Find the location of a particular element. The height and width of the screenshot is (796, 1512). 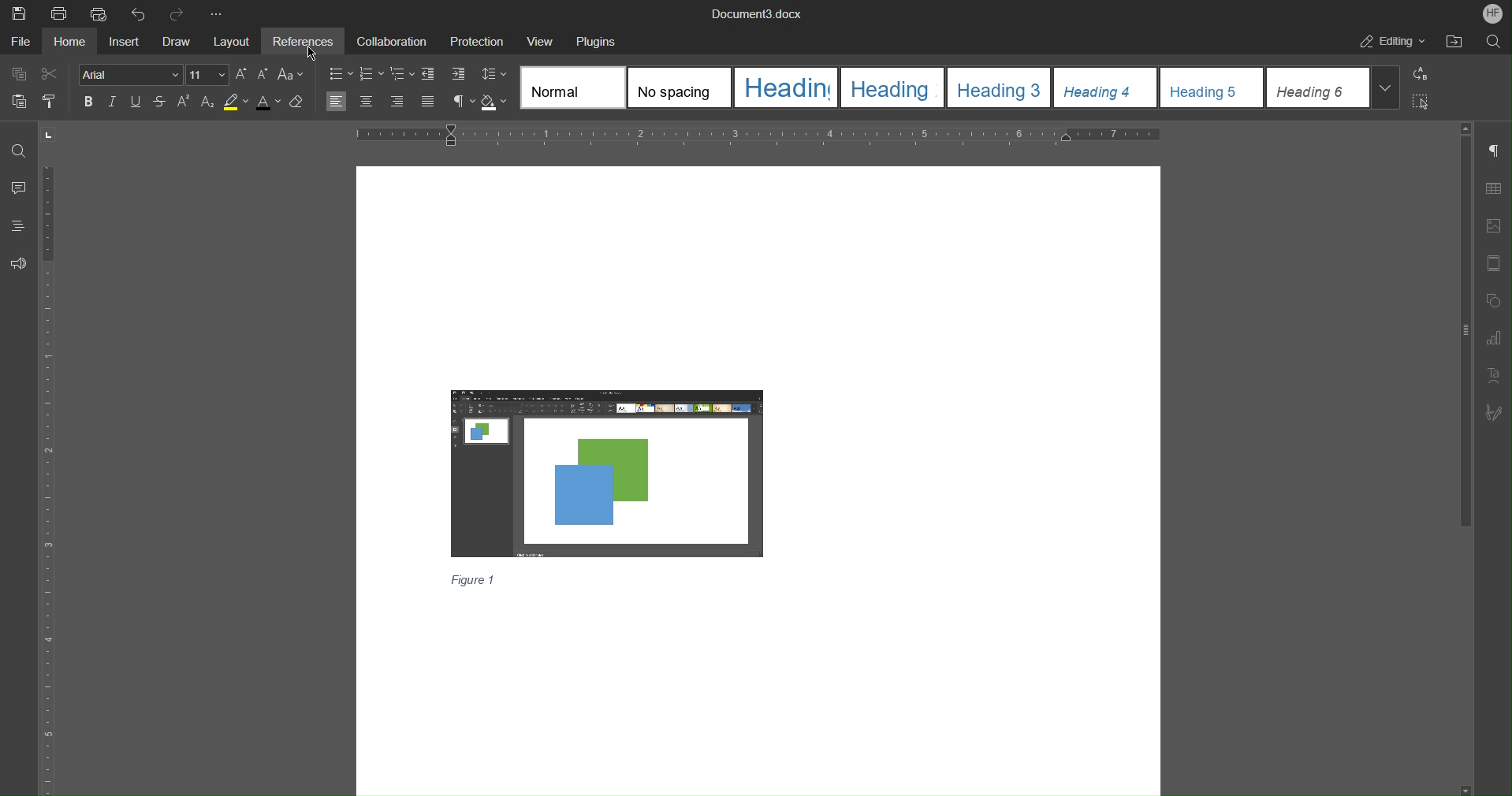

Multilevel list is located at coordinates (399, 72).